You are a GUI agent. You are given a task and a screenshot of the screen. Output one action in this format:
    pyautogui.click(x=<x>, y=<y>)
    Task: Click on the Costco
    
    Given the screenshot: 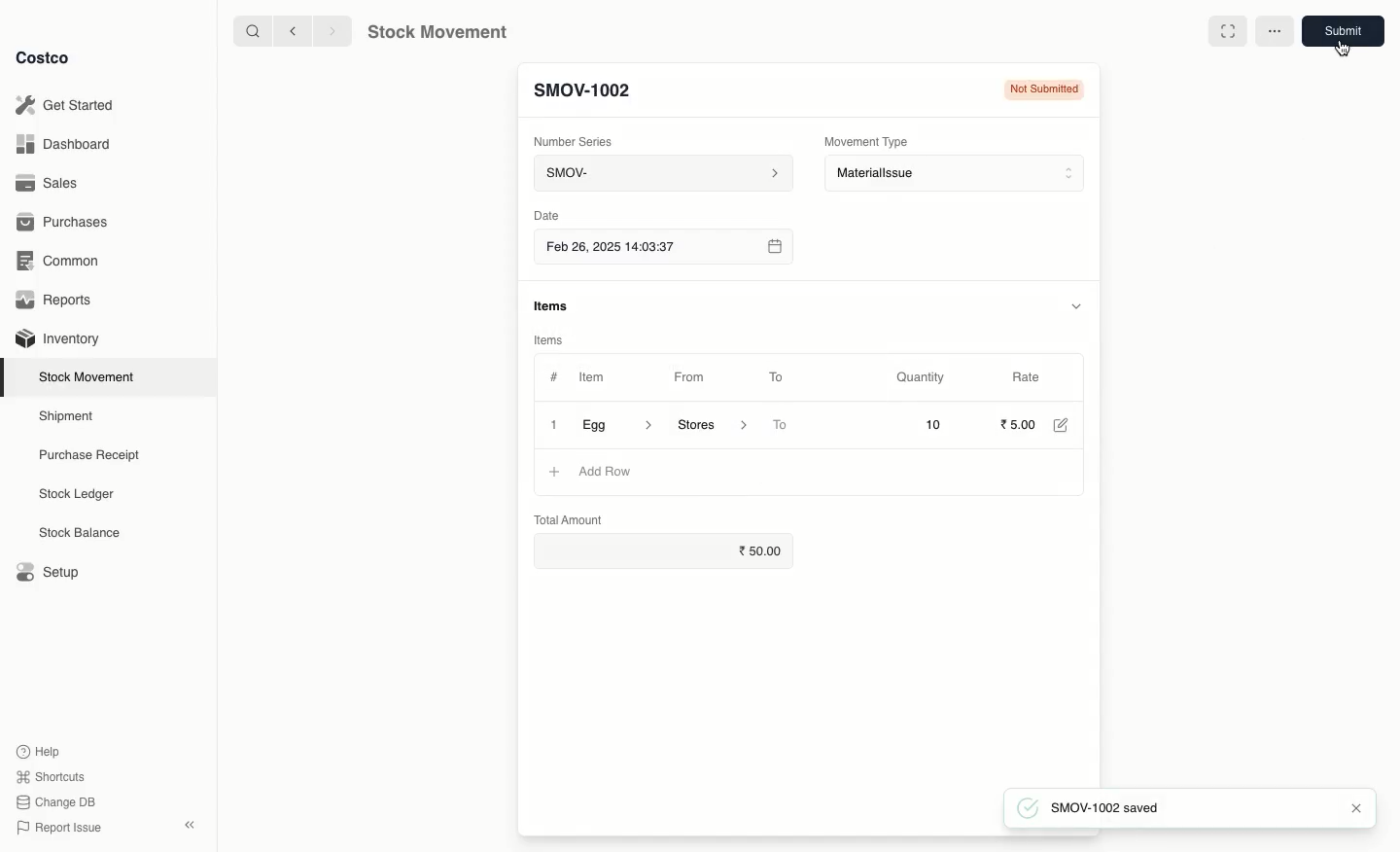 What is the action you would take?
    pyautogui.click(x=44, y=58)
    